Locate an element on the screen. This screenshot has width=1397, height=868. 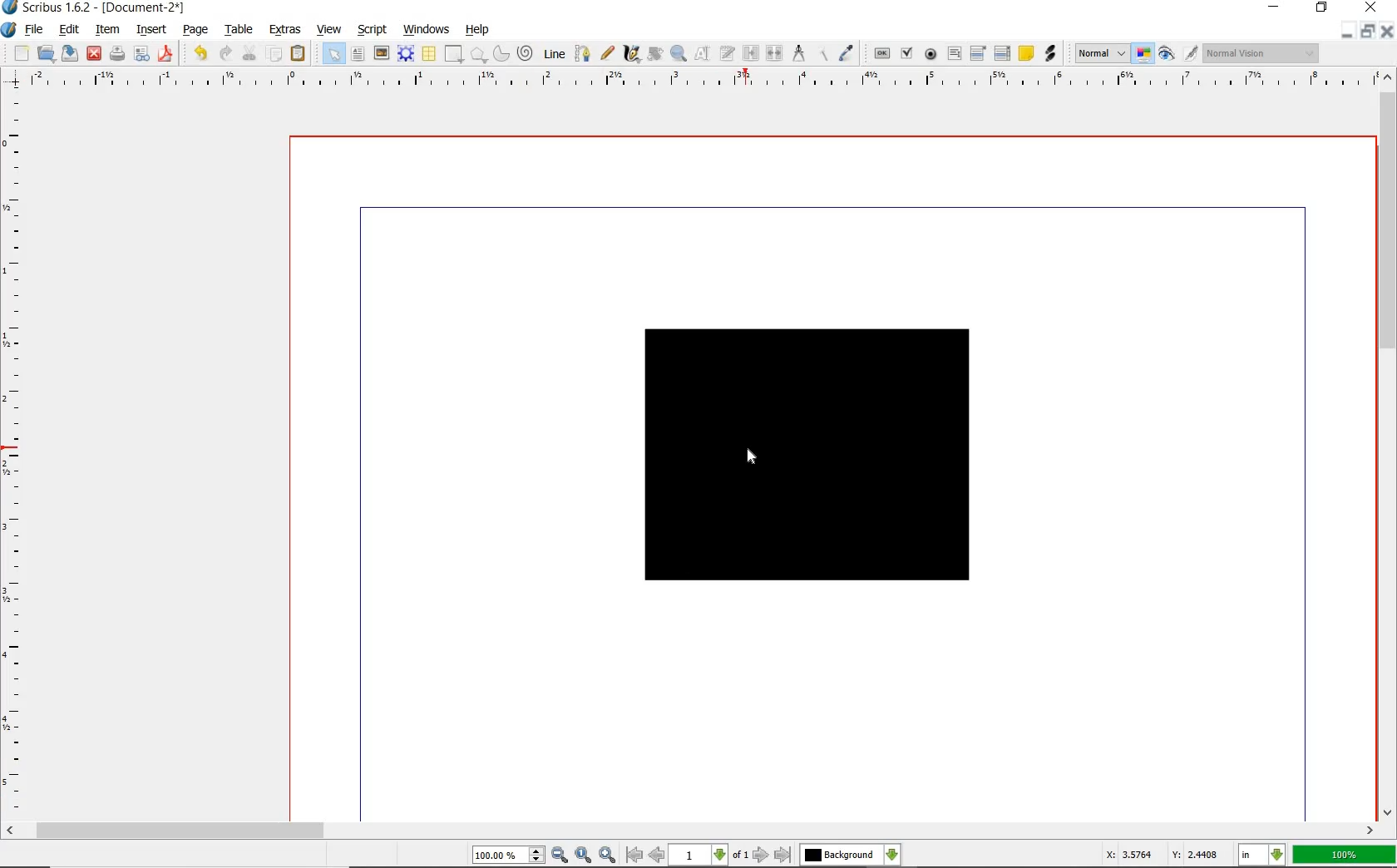
toggle management system is located at coordinates (1143, 55).